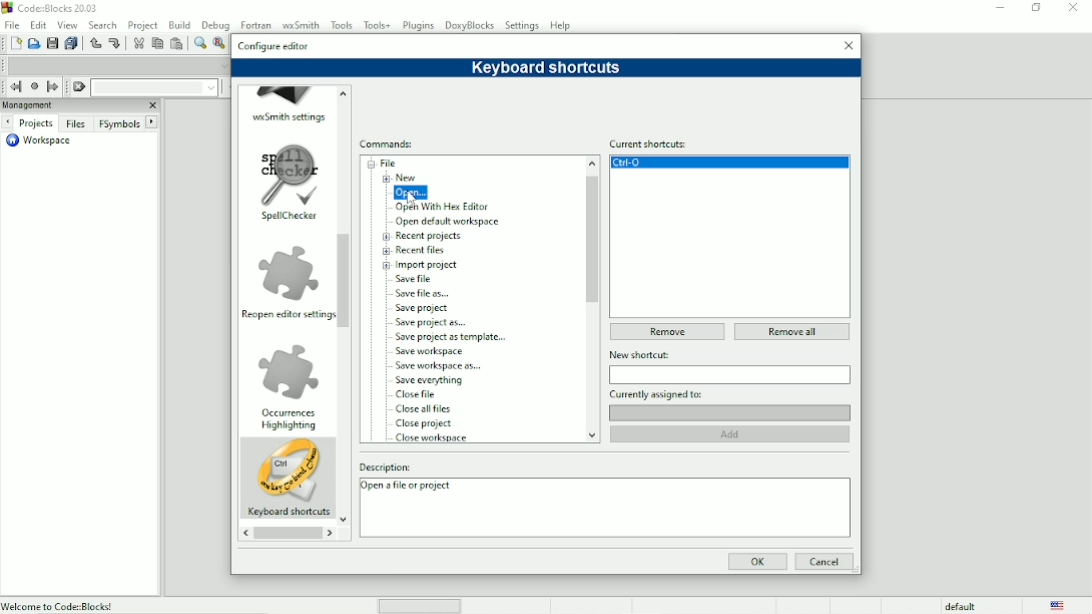  I want to click on Add, so click(733, 434).